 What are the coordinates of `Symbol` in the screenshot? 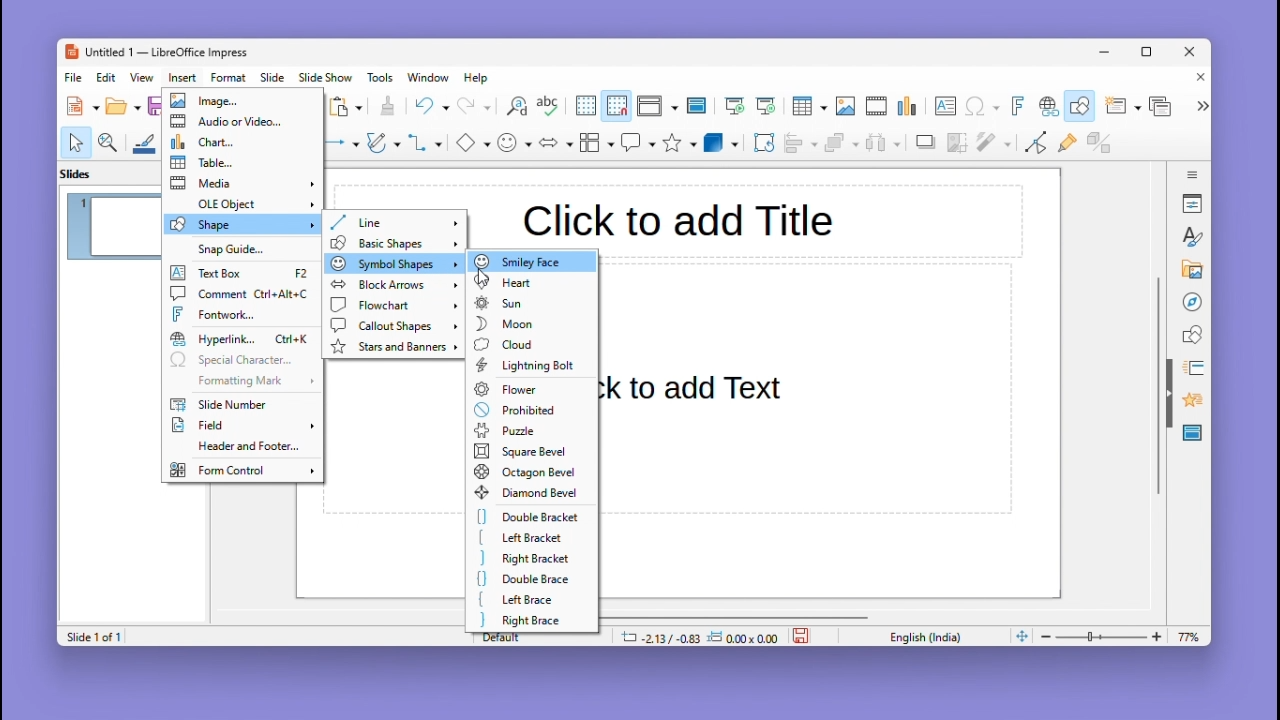 It's located at (516, 142).